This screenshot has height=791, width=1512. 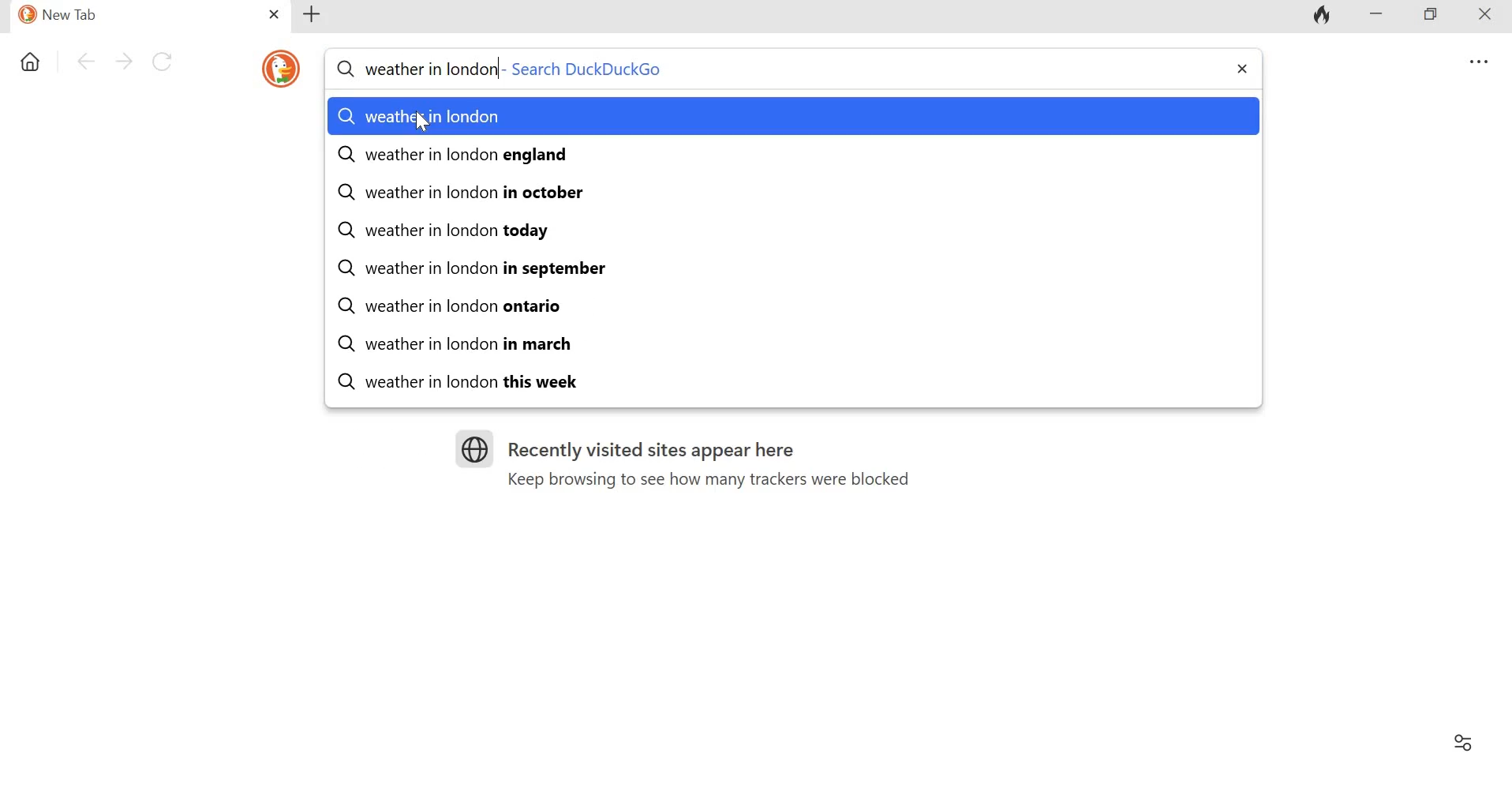 I want to click on Search symbol, so click(x=346, y=69).